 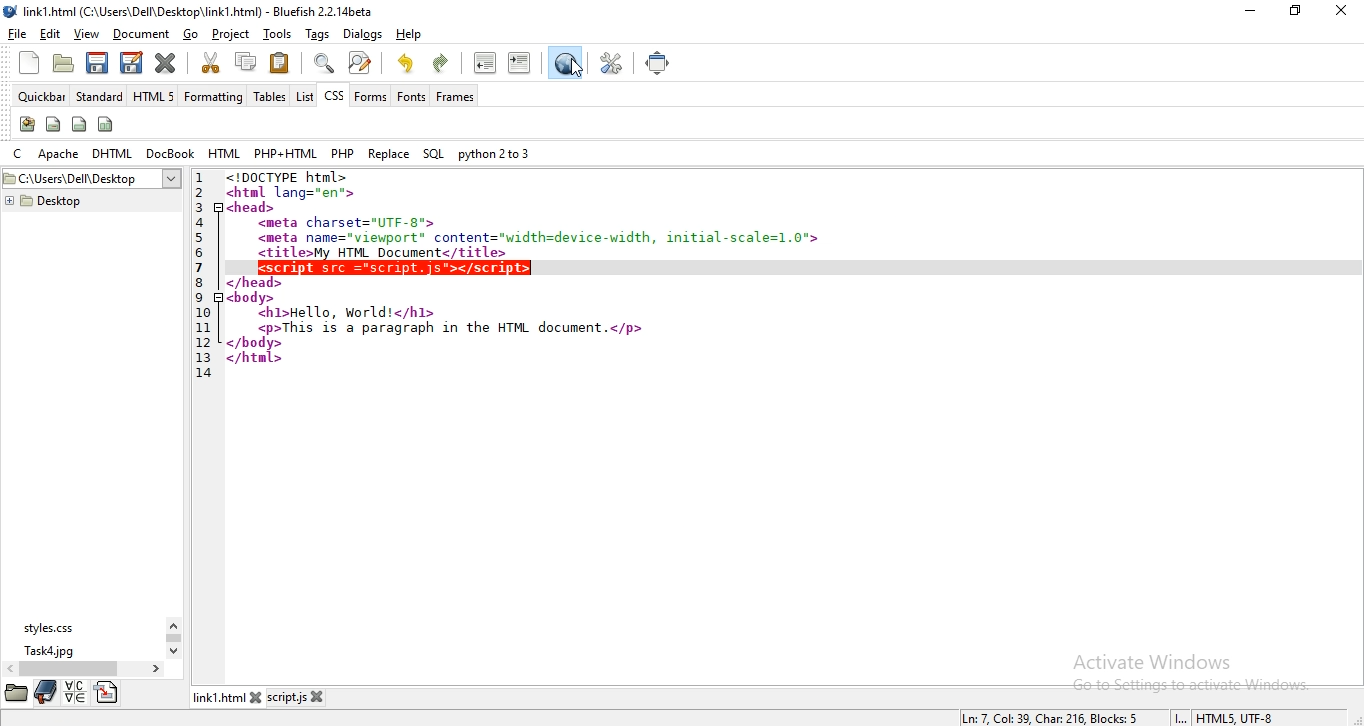 What do you see at coordinates (199, 298) in the screenshot?
I see `9` at bounding box center [199, 298].